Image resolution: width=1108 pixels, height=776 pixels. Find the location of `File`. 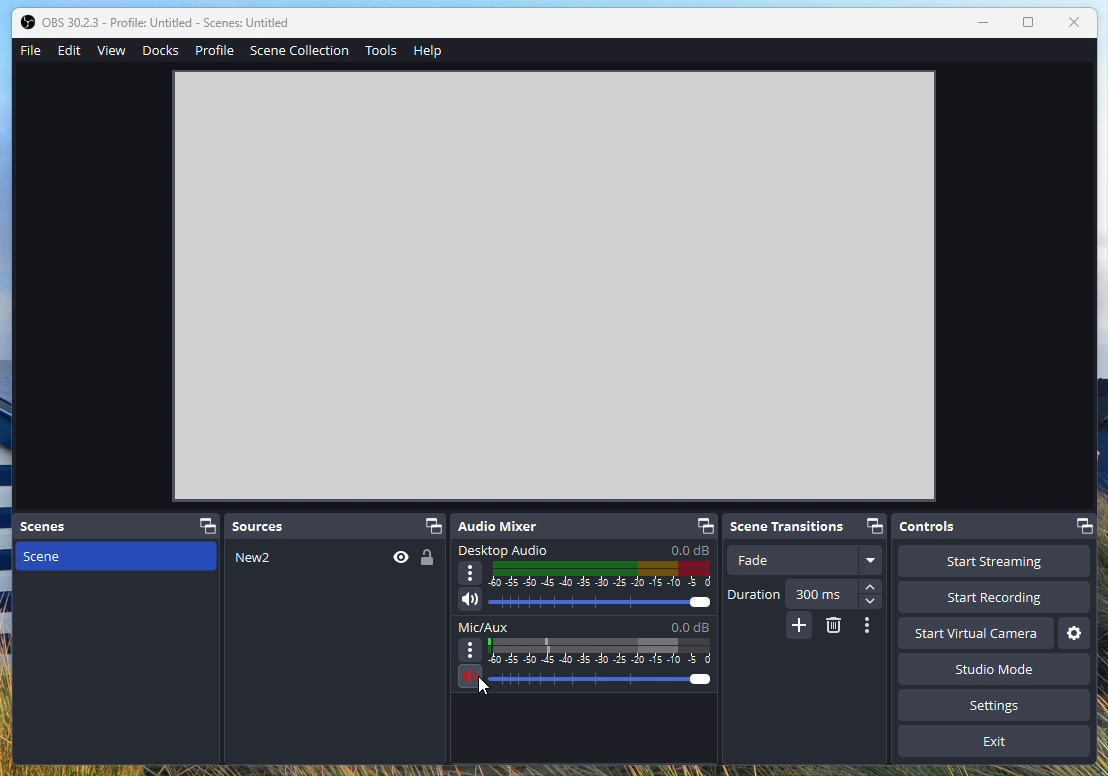

File is located at coordinates (33, 50).